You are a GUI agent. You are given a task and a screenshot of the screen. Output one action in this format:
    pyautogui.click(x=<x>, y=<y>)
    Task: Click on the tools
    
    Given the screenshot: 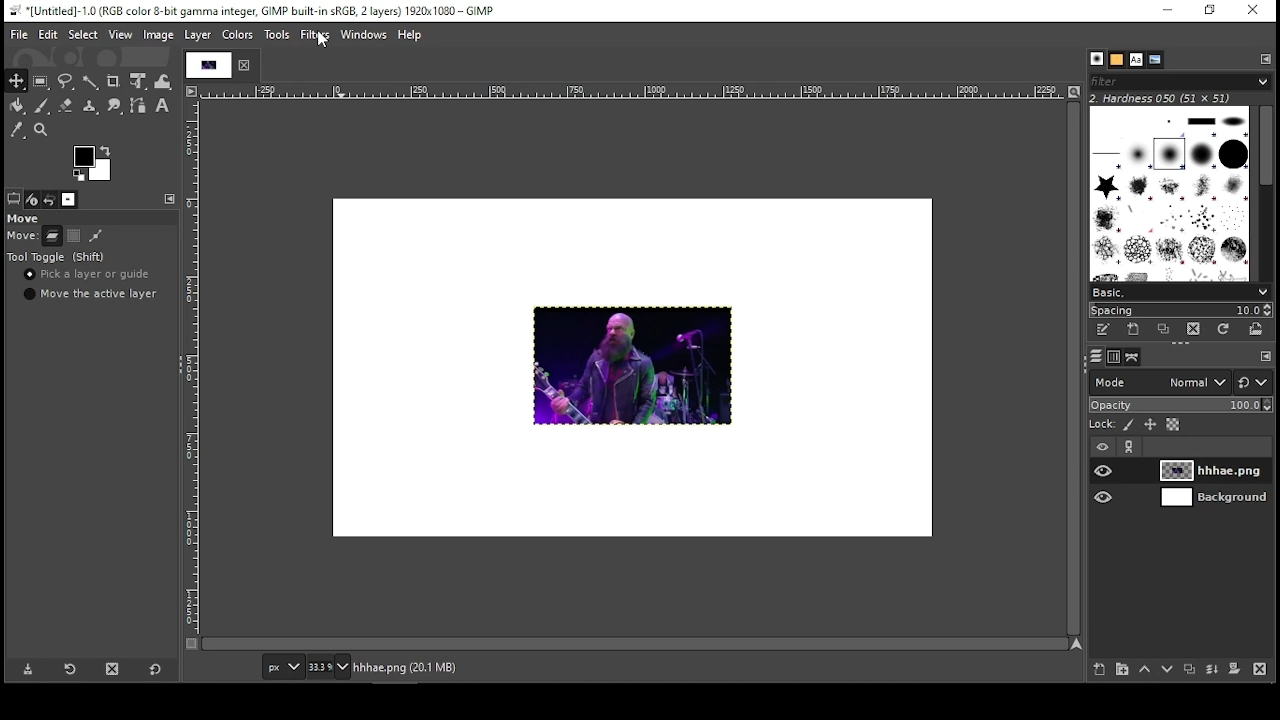 What is the action you would take?
    pyautogui.click(x=278, y=37)
    